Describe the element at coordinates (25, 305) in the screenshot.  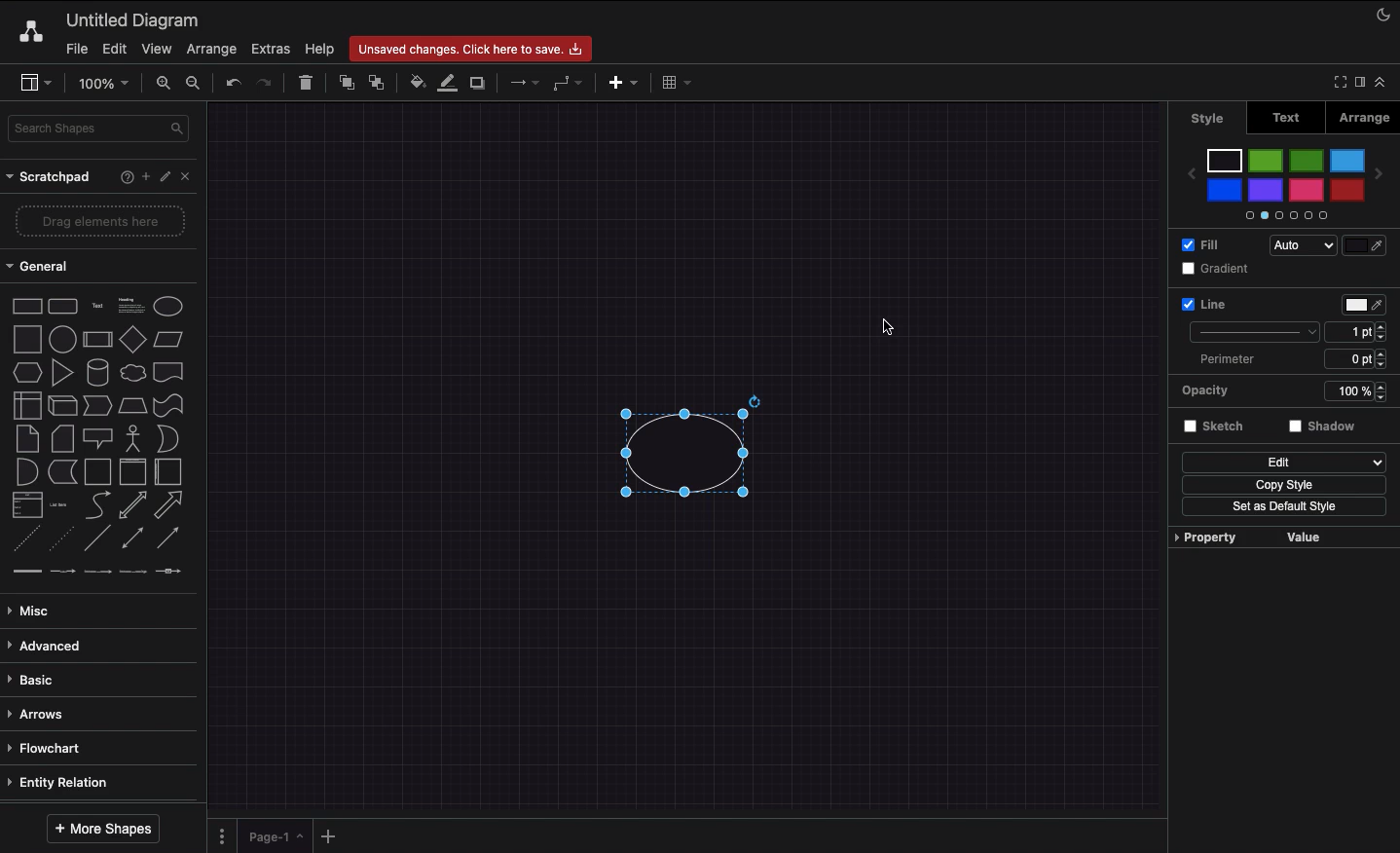
I see `Rectangle` at that location.